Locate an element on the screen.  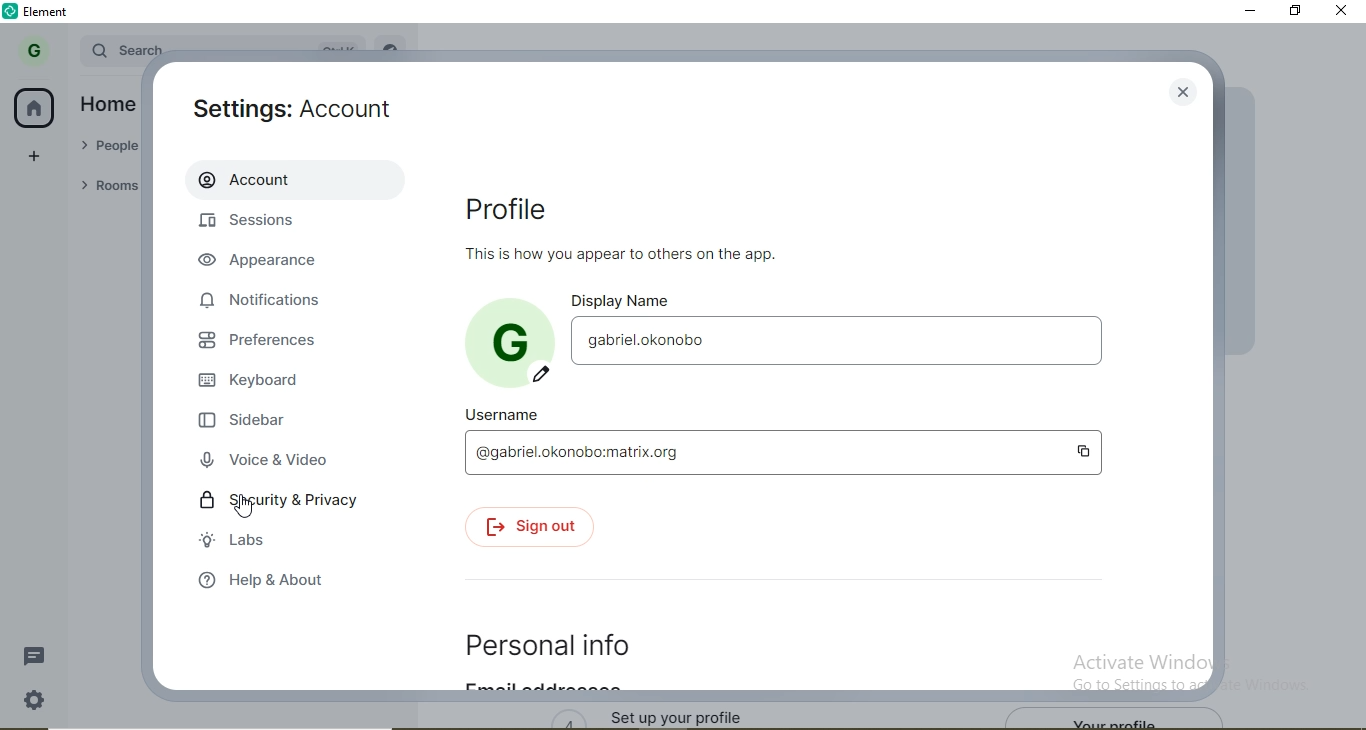
appearance is located at coordinates (264, 264).